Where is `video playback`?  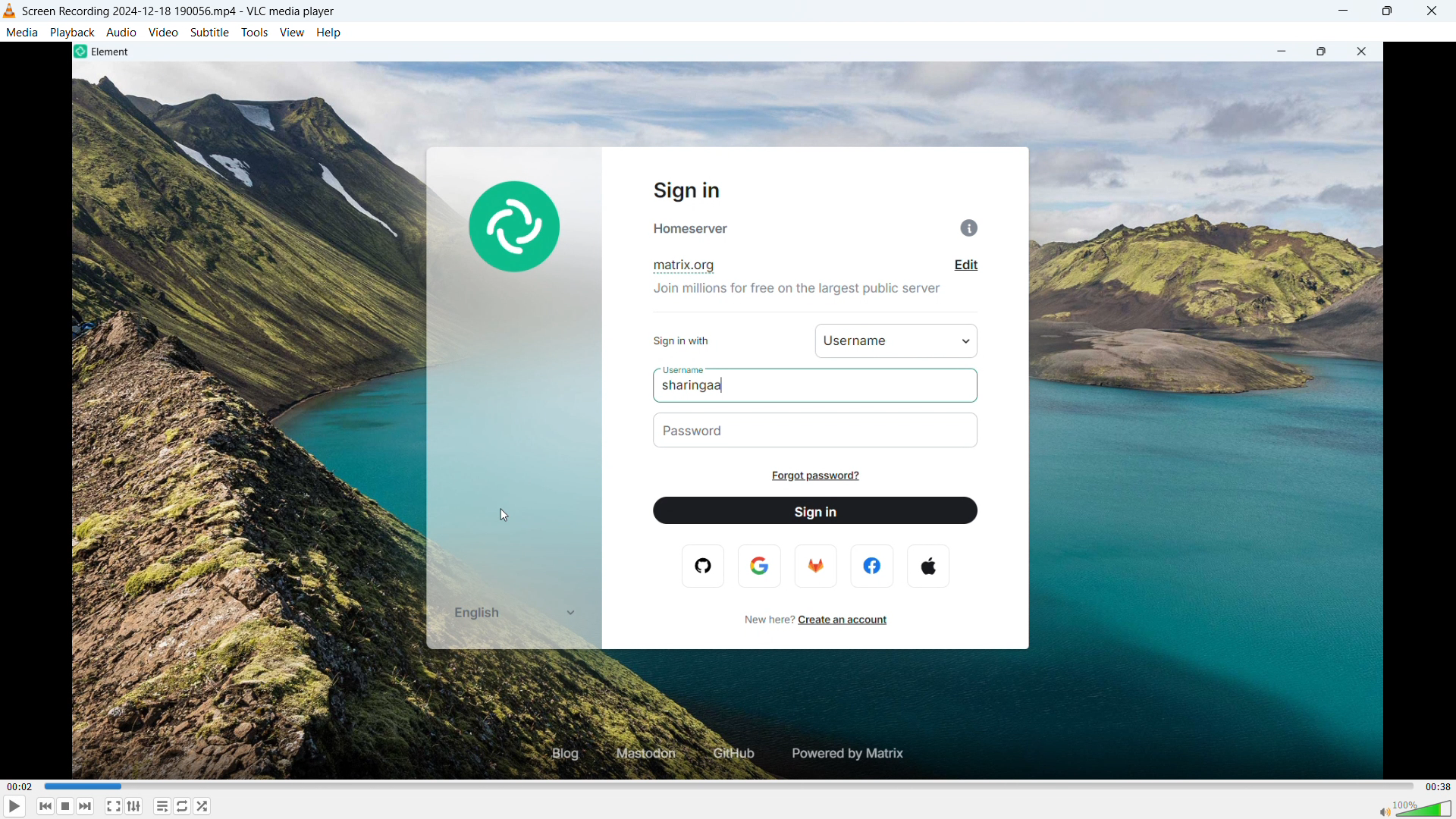 video playback is located at coordinates (724, 409).